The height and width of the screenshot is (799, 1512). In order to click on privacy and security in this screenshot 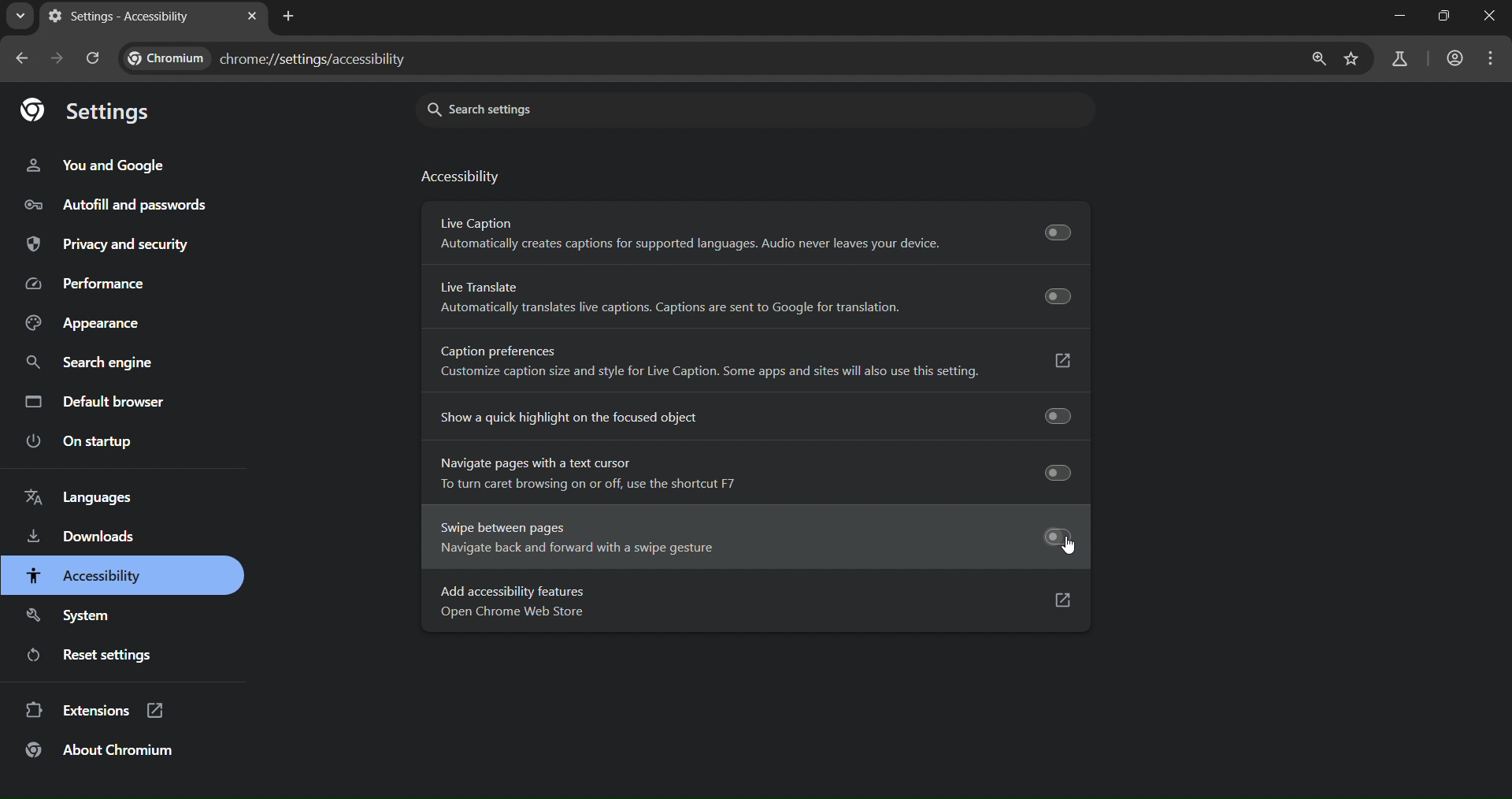, I will do `click(110, 245)`.